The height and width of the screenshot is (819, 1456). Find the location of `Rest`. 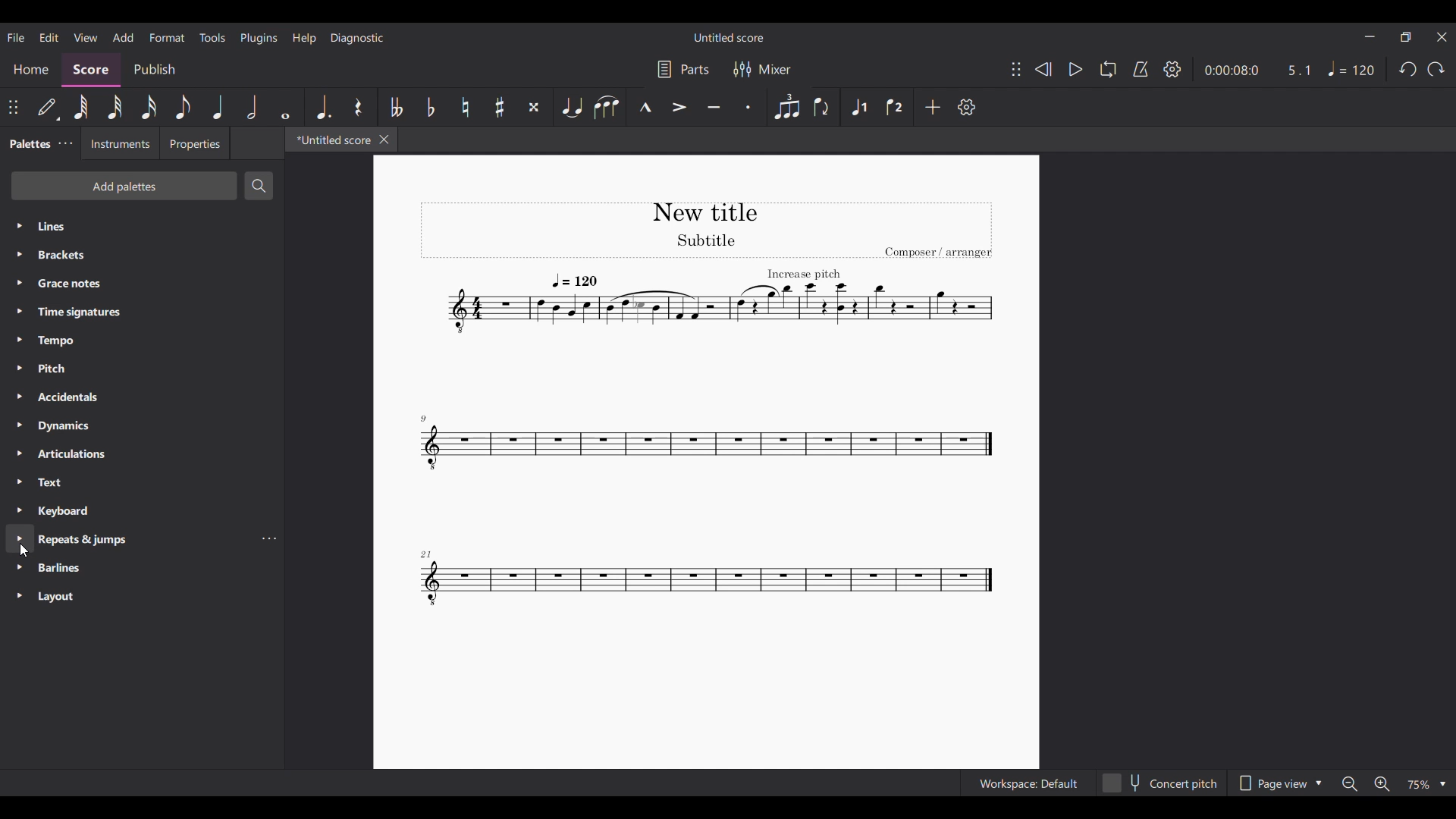

Rest is located at coordinates (359, 107).